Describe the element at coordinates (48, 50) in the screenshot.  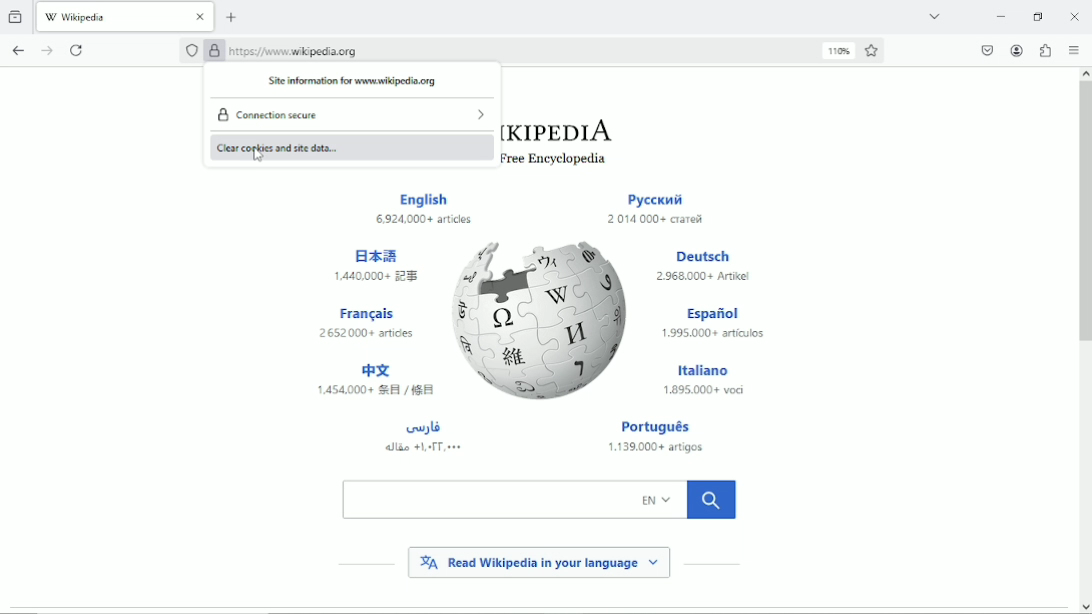
I see `go forward` at that location.